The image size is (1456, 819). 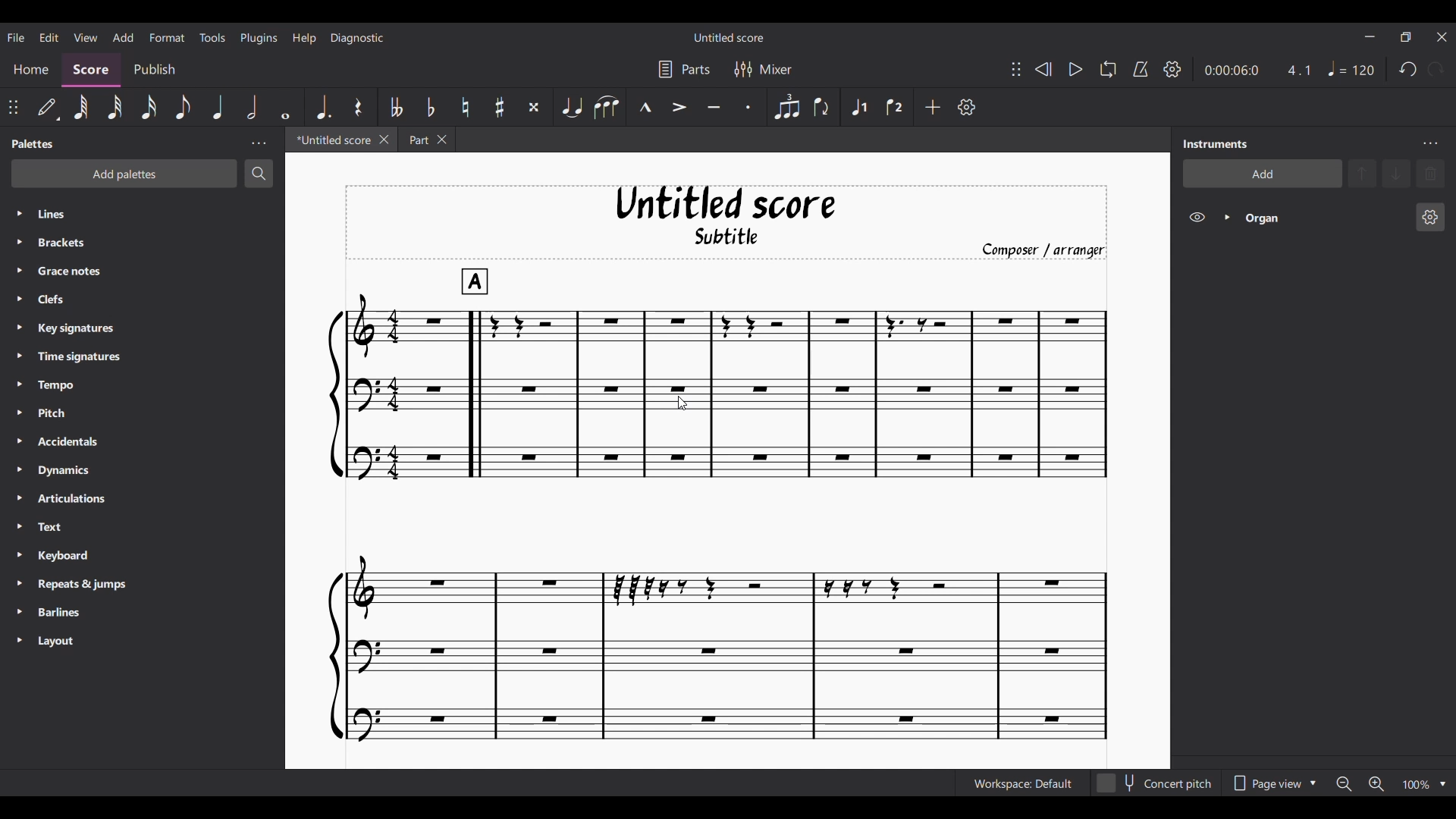 I want to click on Panel title, so click(x=32, y=143).